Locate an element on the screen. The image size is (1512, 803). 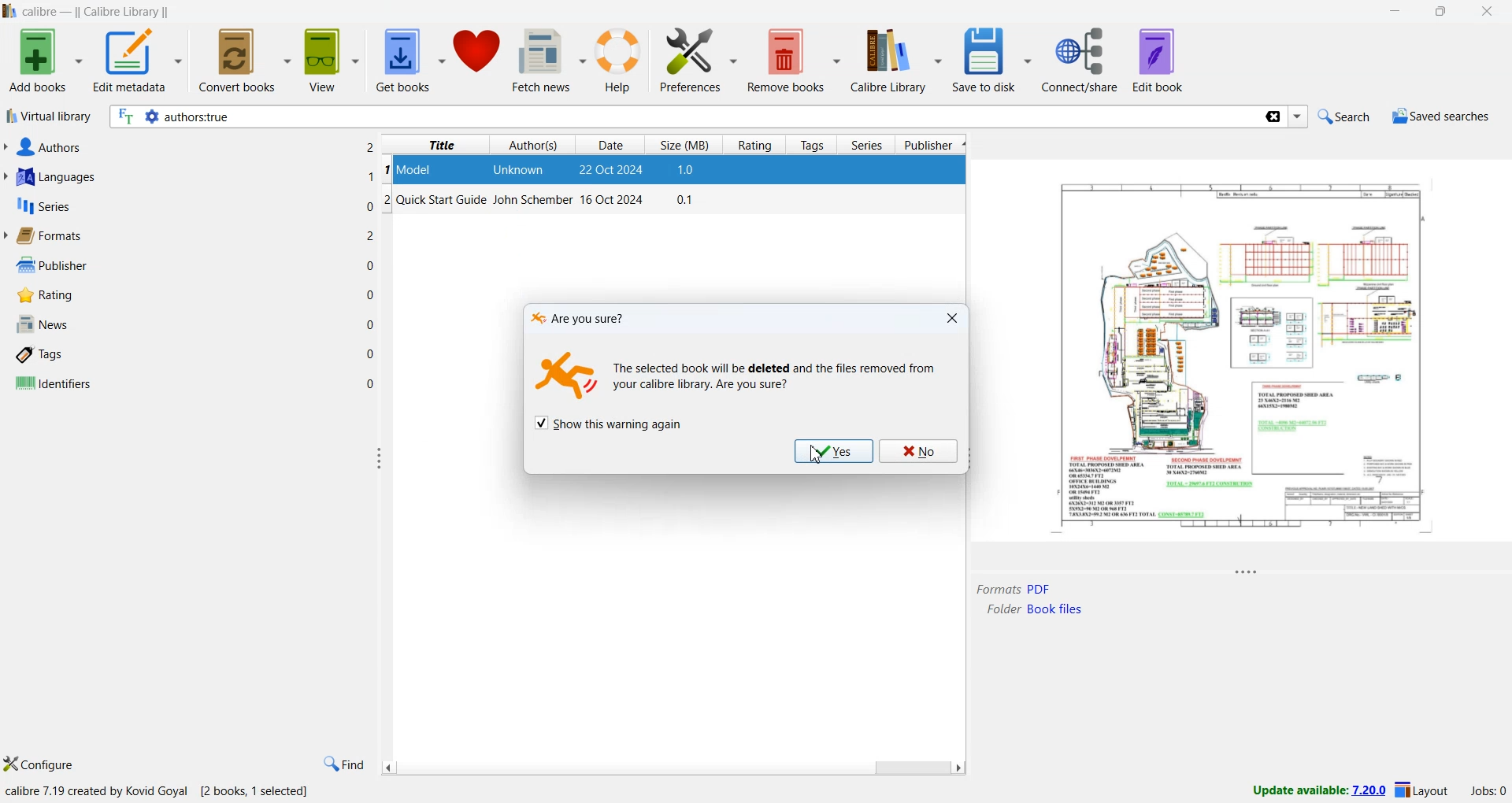
 is located at coordinates (372, 236).